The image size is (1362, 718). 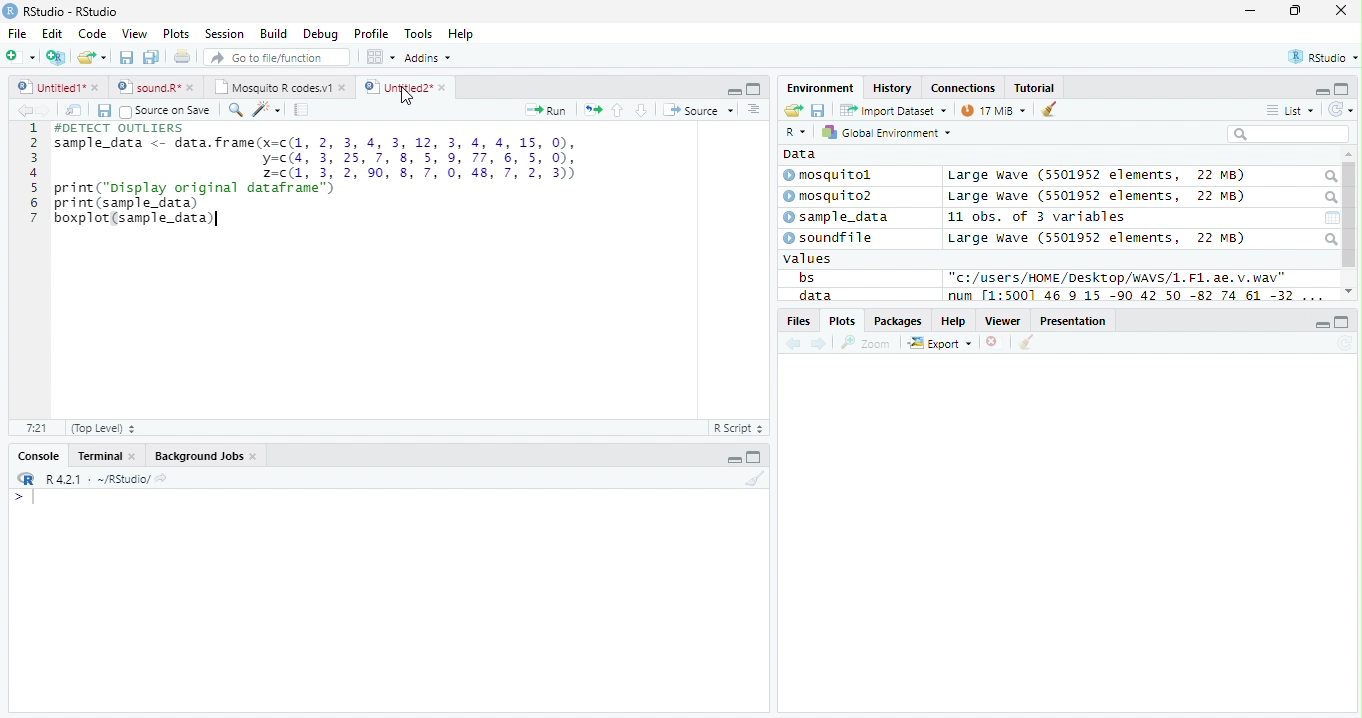 What do you see at coordinates (371, 33) in the screenshot?
I see `Profile` at bounding box center [371, 33].